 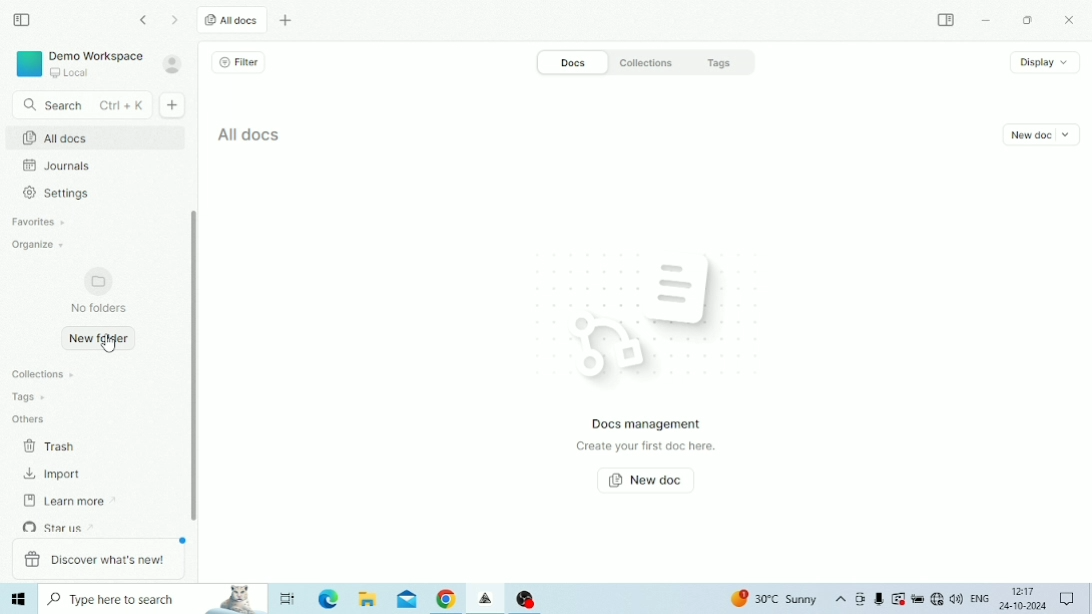 I want to click on OBS Studio, so click(x=526, y=598).